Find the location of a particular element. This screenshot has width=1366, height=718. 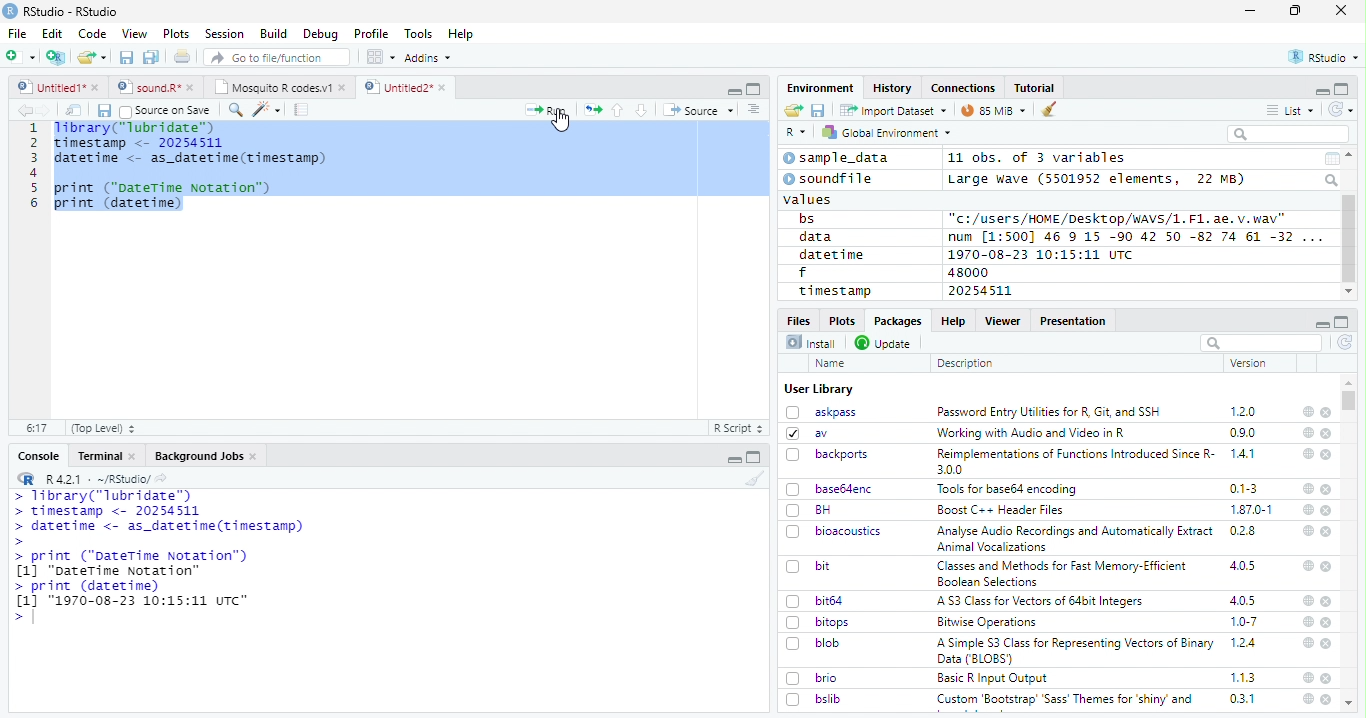

A S3 Class for Vectors of 64bit Integers is located at coordinates (1042, 602).